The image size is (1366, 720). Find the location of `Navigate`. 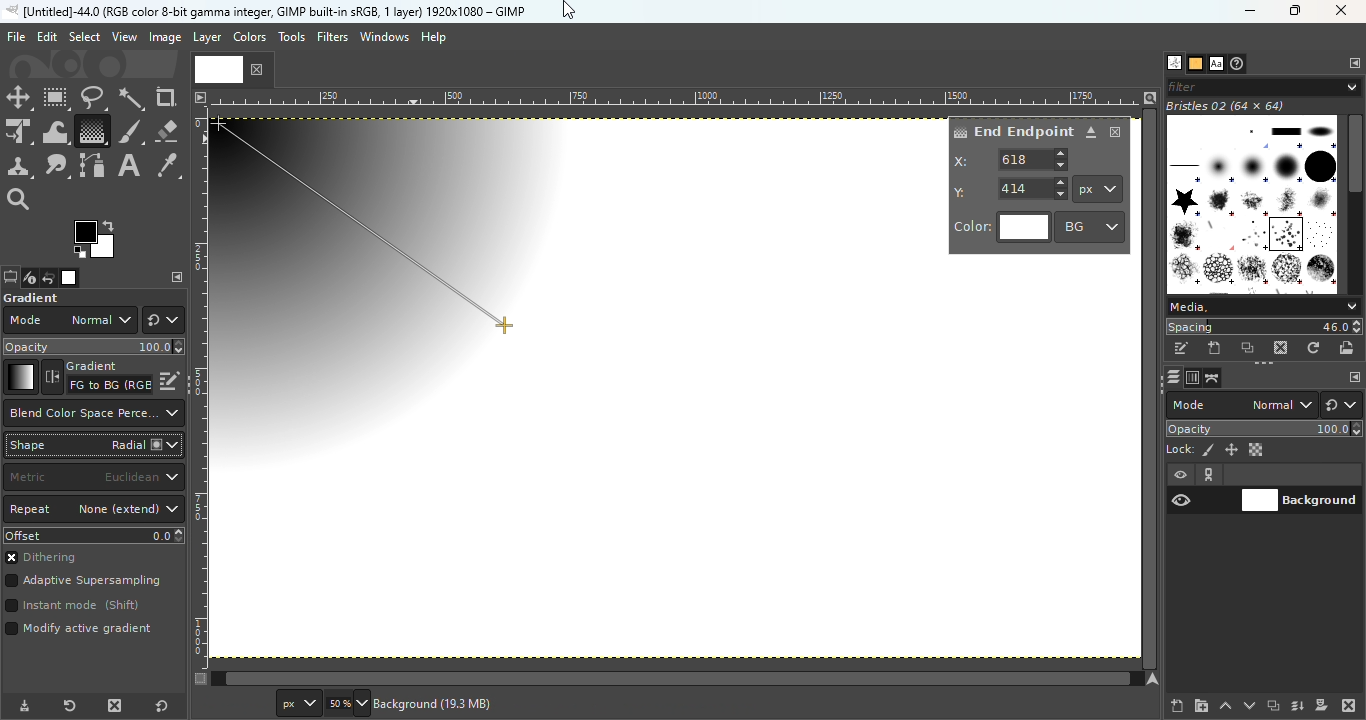

Navigate is located at coordinates (1155, 679).